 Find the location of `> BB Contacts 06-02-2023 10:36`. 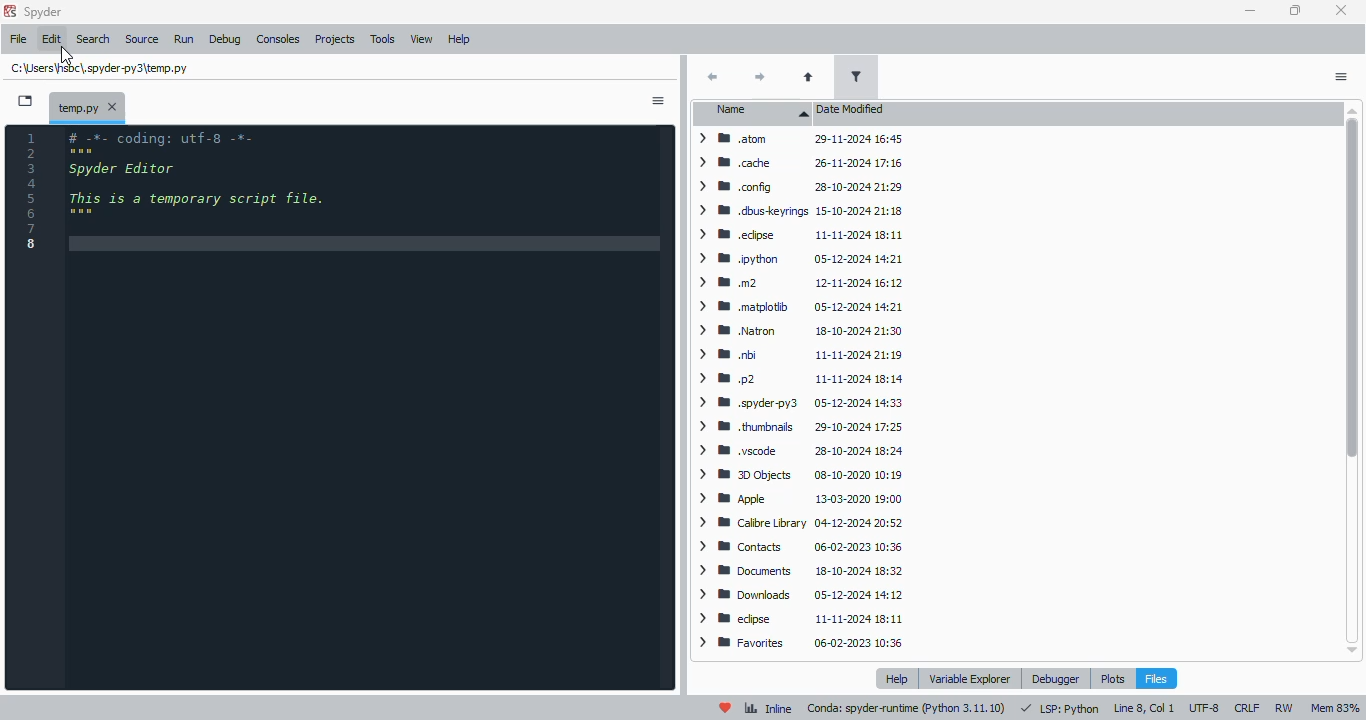

> BB Contacts 06-02-2023 10:36 is located at coordinates (798, 546).